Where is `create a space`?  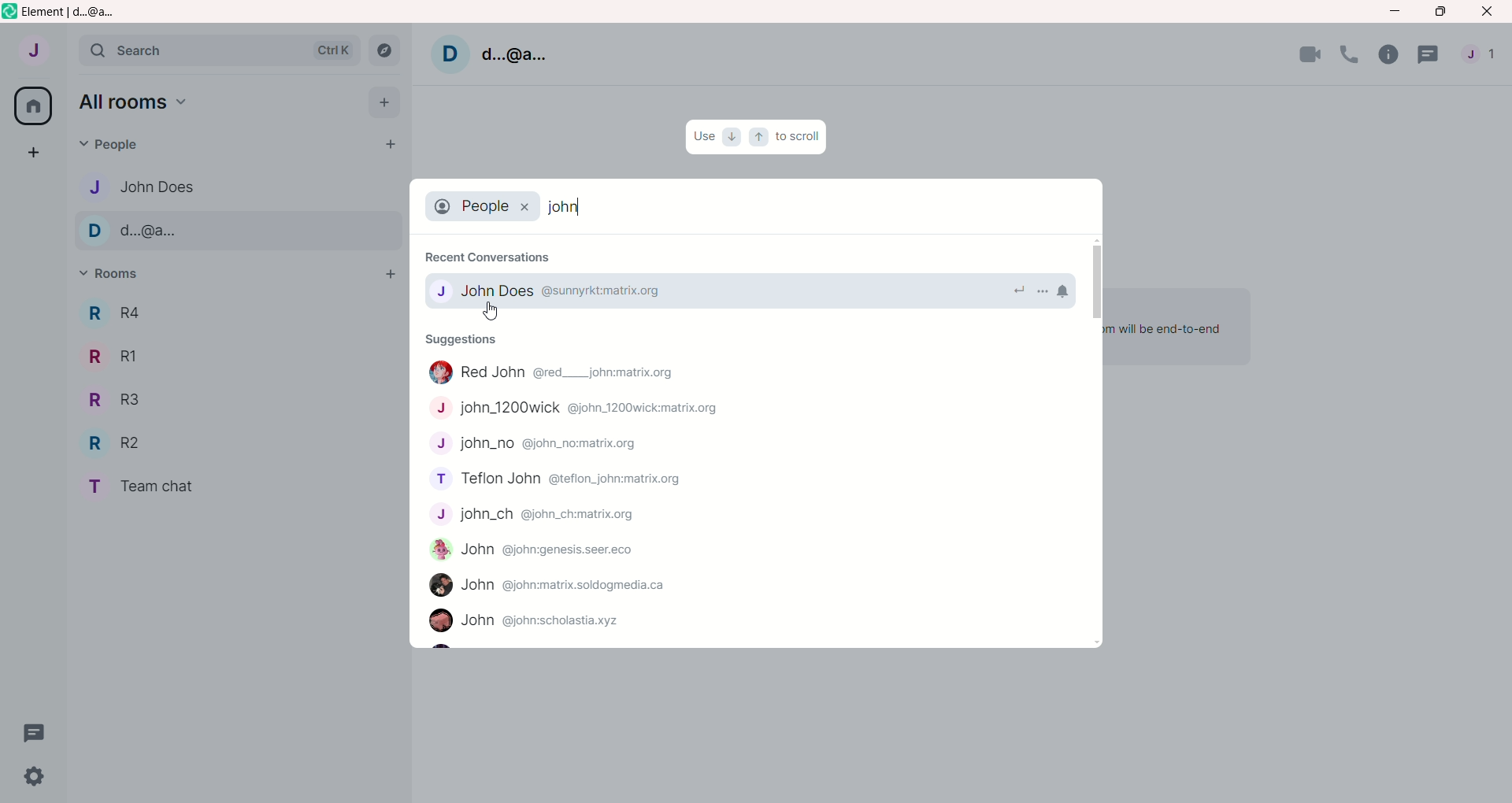 create a space is located at coordinates (36, 154).